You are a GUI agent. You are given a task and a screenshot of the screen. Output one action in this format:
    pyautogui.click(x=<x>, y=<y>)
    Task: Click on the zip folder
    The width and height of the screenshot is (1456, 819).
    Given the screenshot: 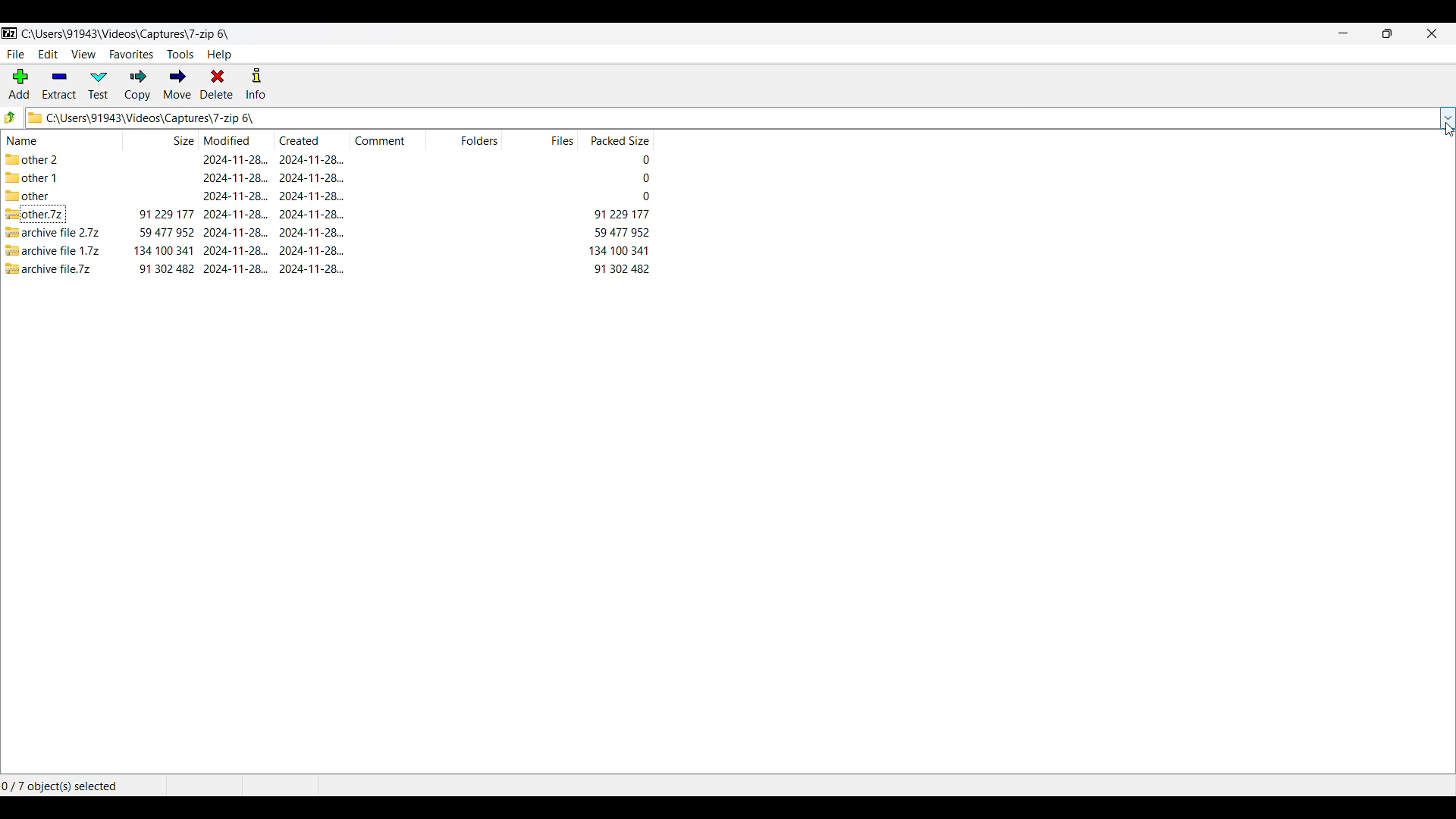 What is the action you would take?
    pyautogui.click(x=56, y=233)
    